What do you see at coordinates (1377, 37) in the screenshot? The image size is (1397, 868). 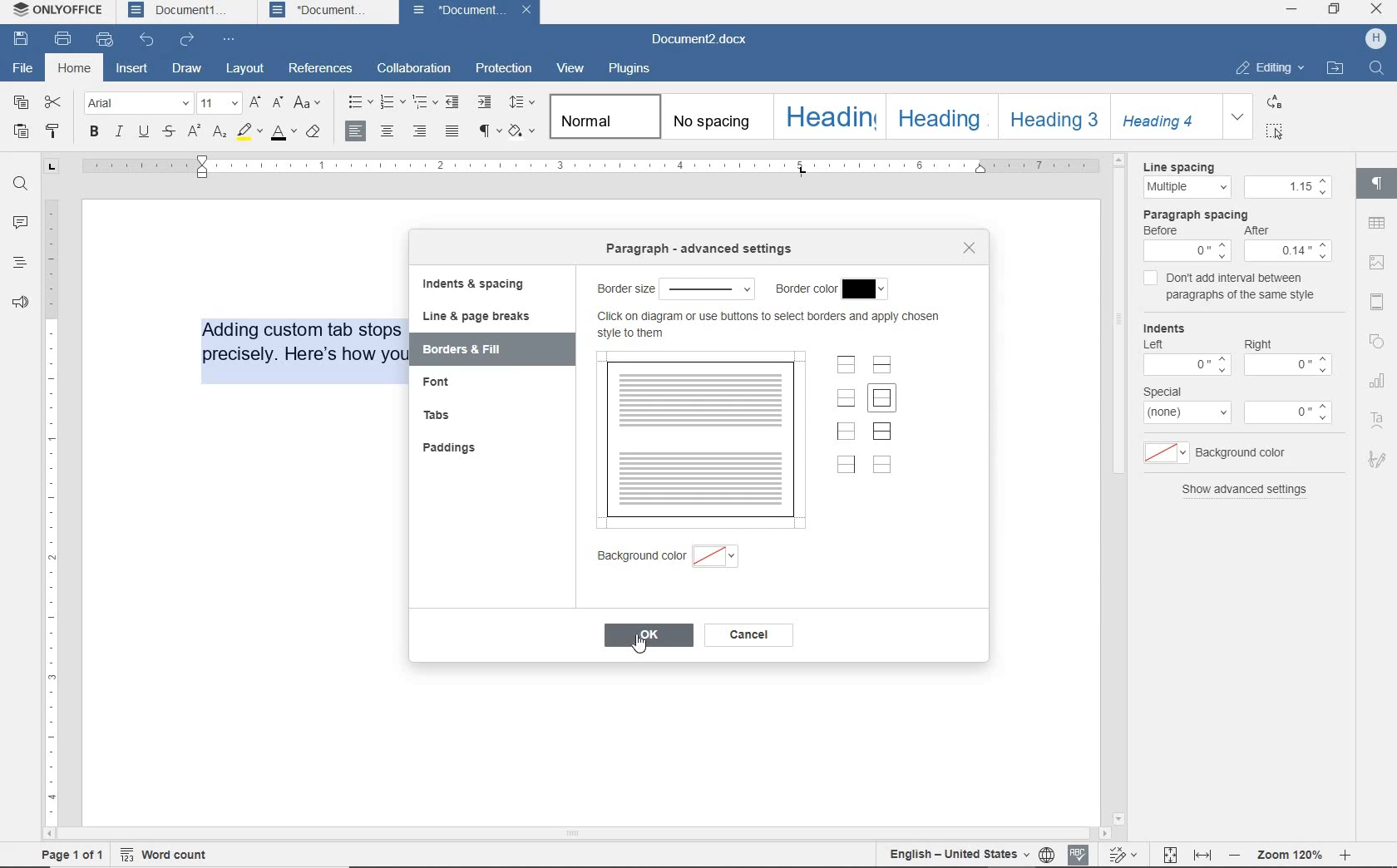 I see `profile` at bounding box center [1377, 37].